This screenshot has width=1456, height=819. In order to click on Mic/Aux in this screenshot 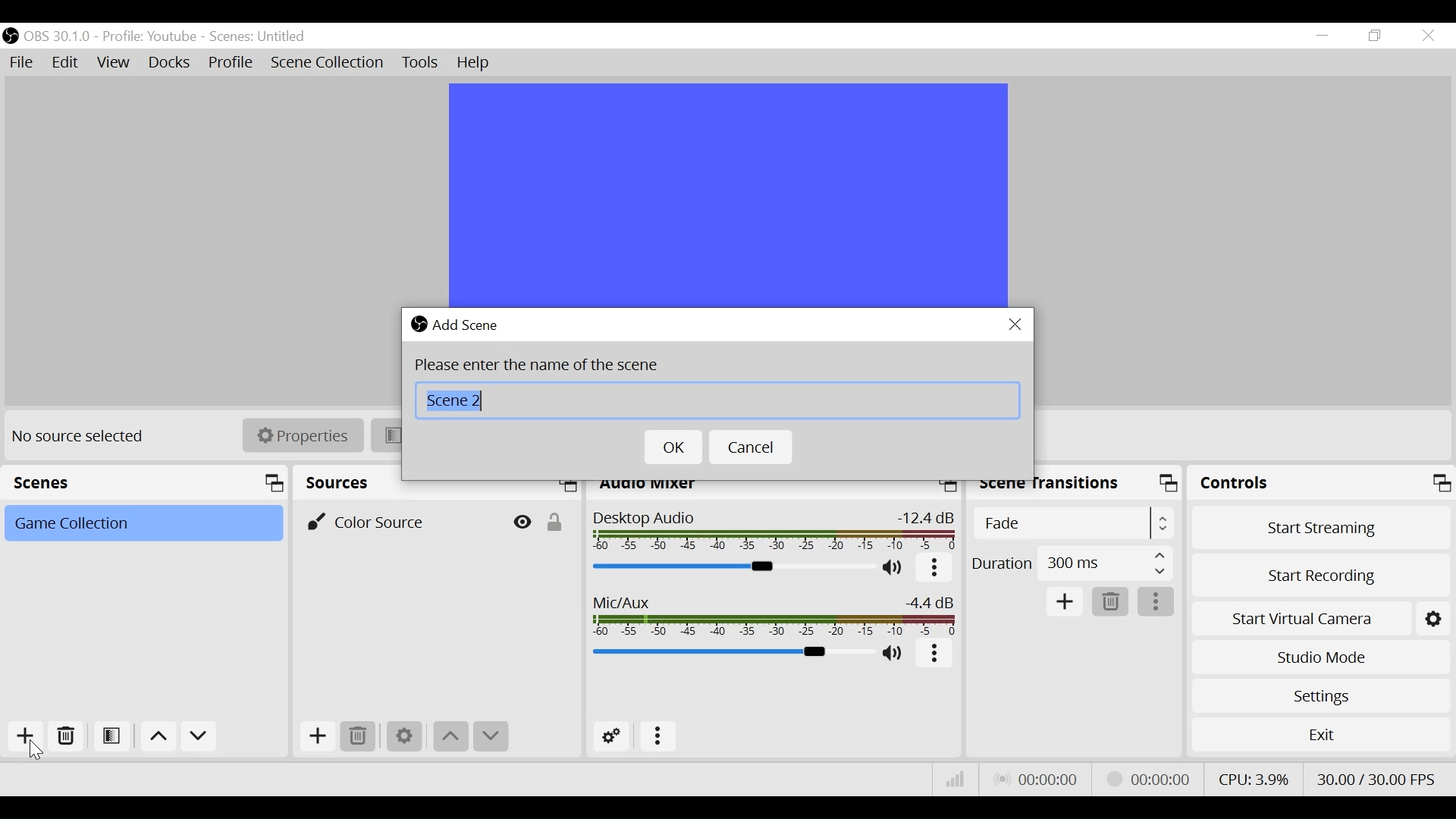, I will do `click(730, 653)`.